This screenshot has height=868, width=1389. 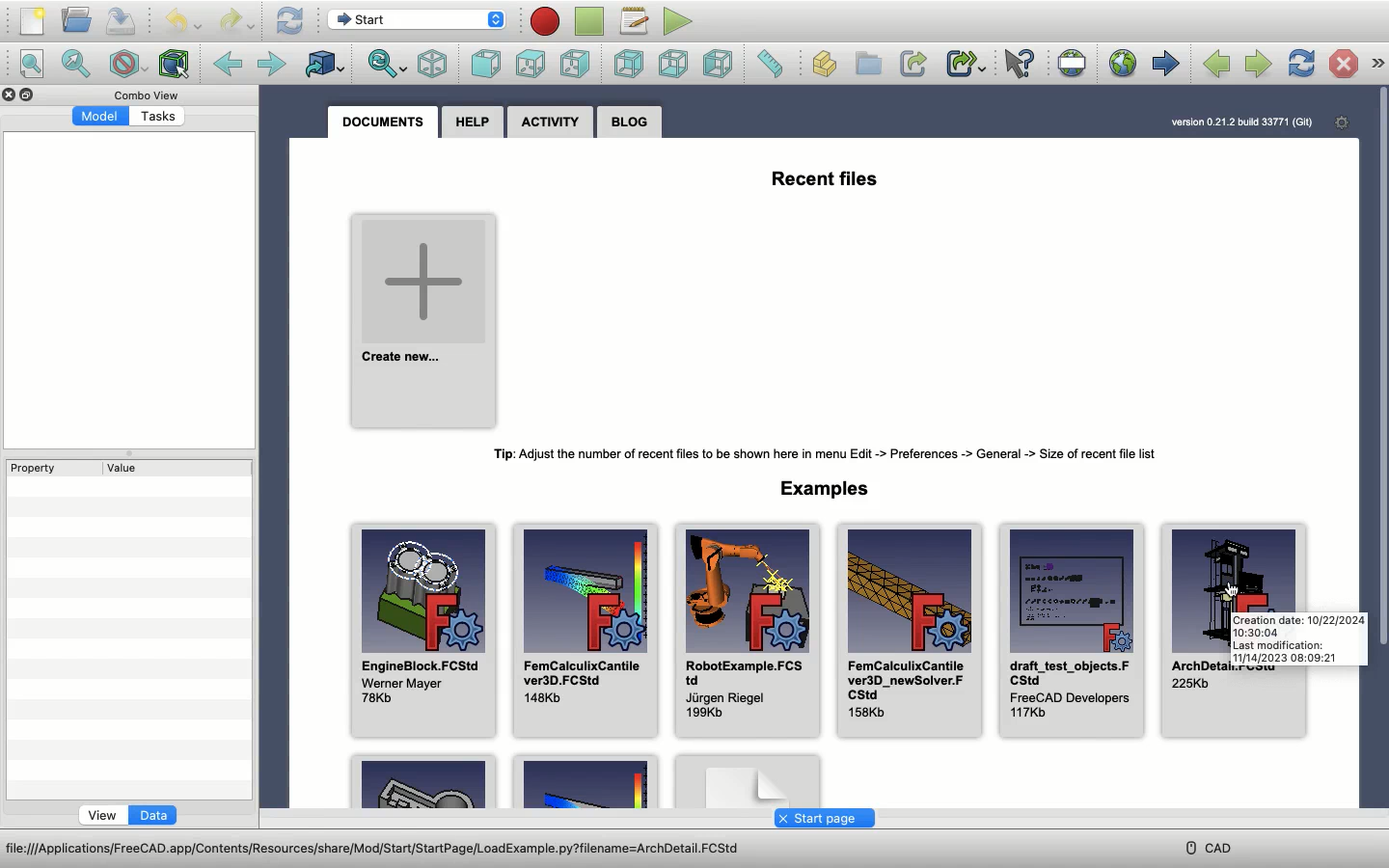 I want to click on Create new project, so click(x=424, y=323).